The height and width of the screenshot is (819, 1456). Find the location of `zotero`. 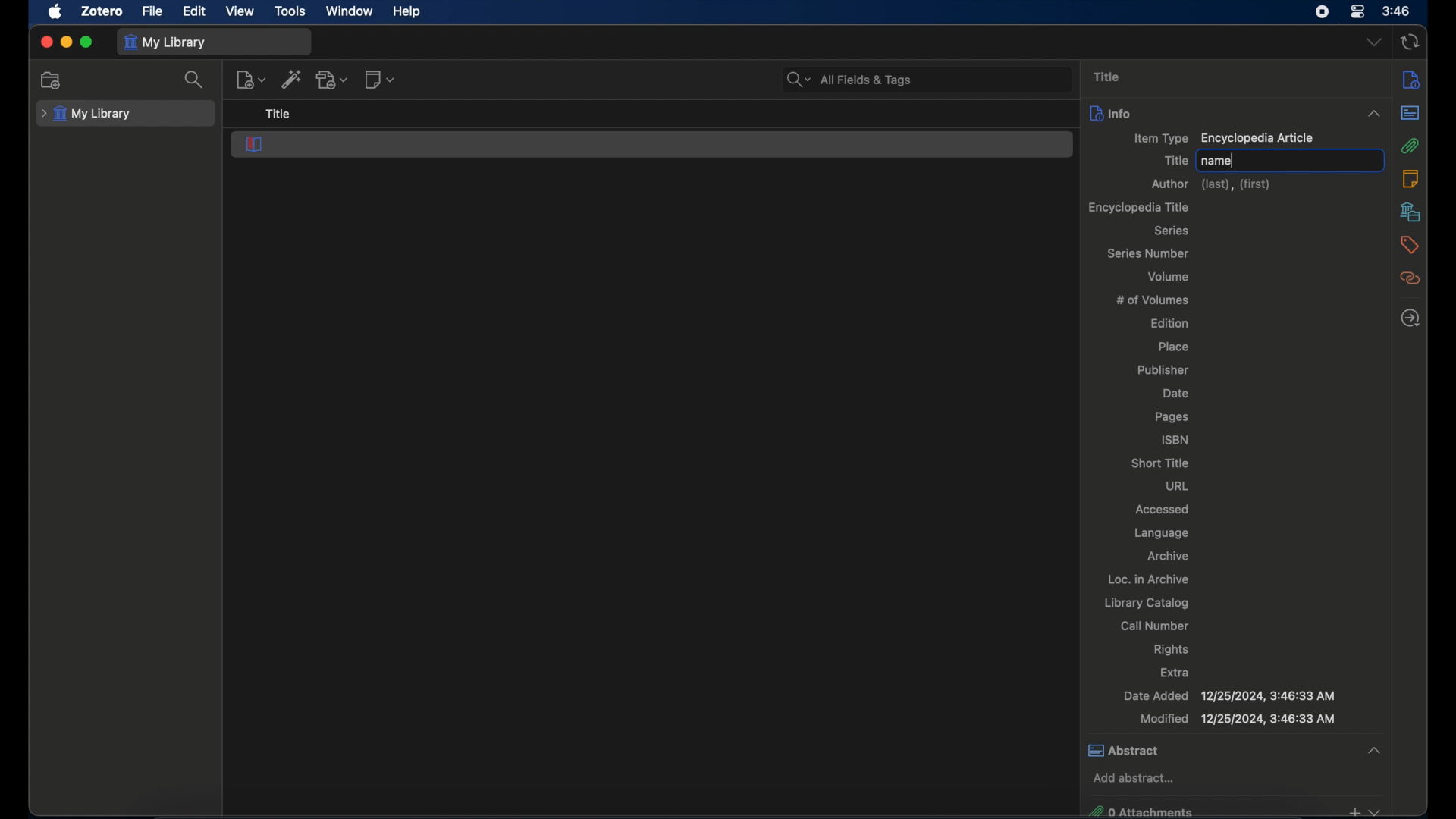

zotero is located at coordinates (104, 10).